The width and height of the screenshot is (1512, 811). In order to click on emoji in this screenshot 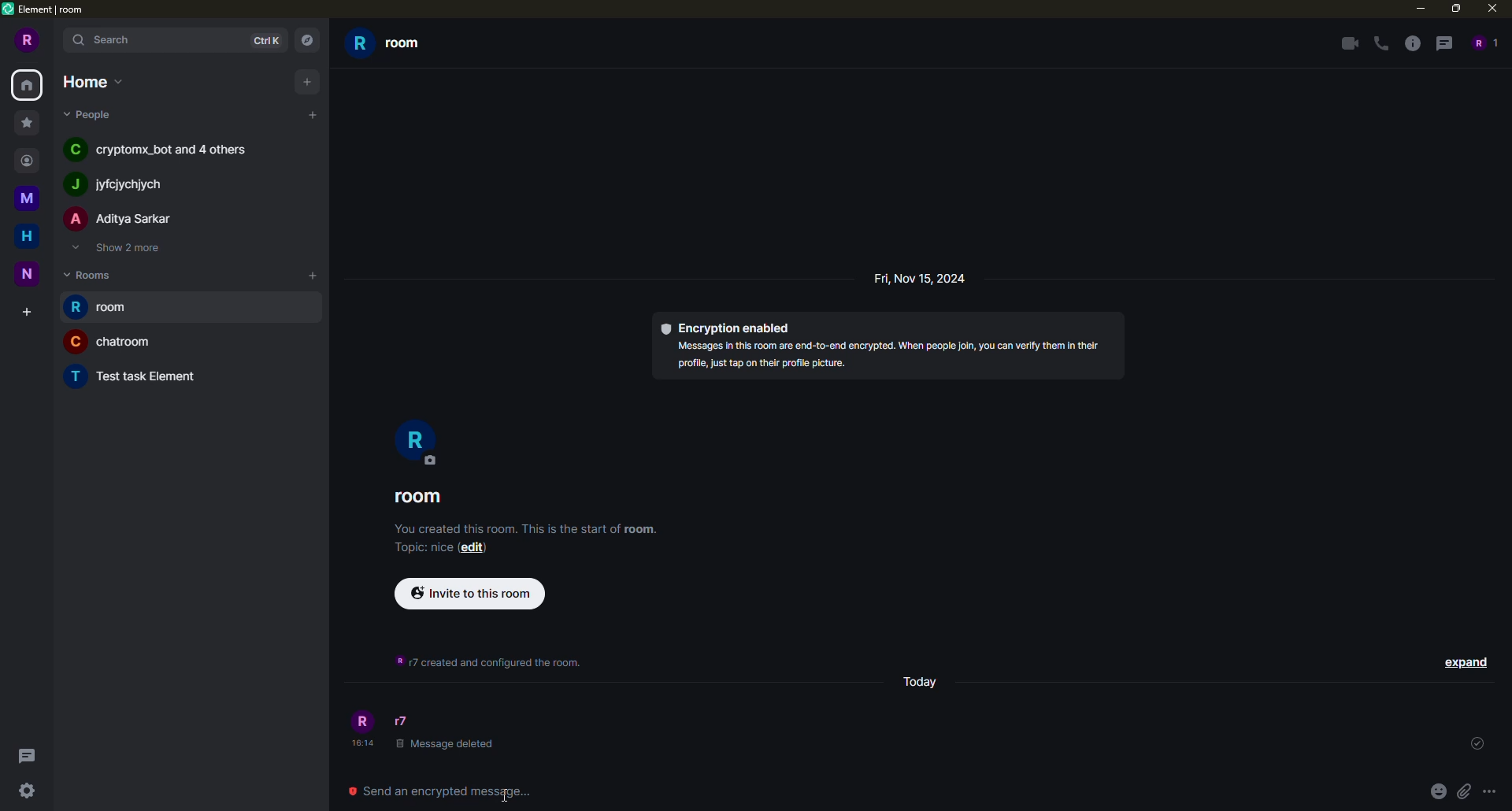, I will do `click(1436, 791)`.